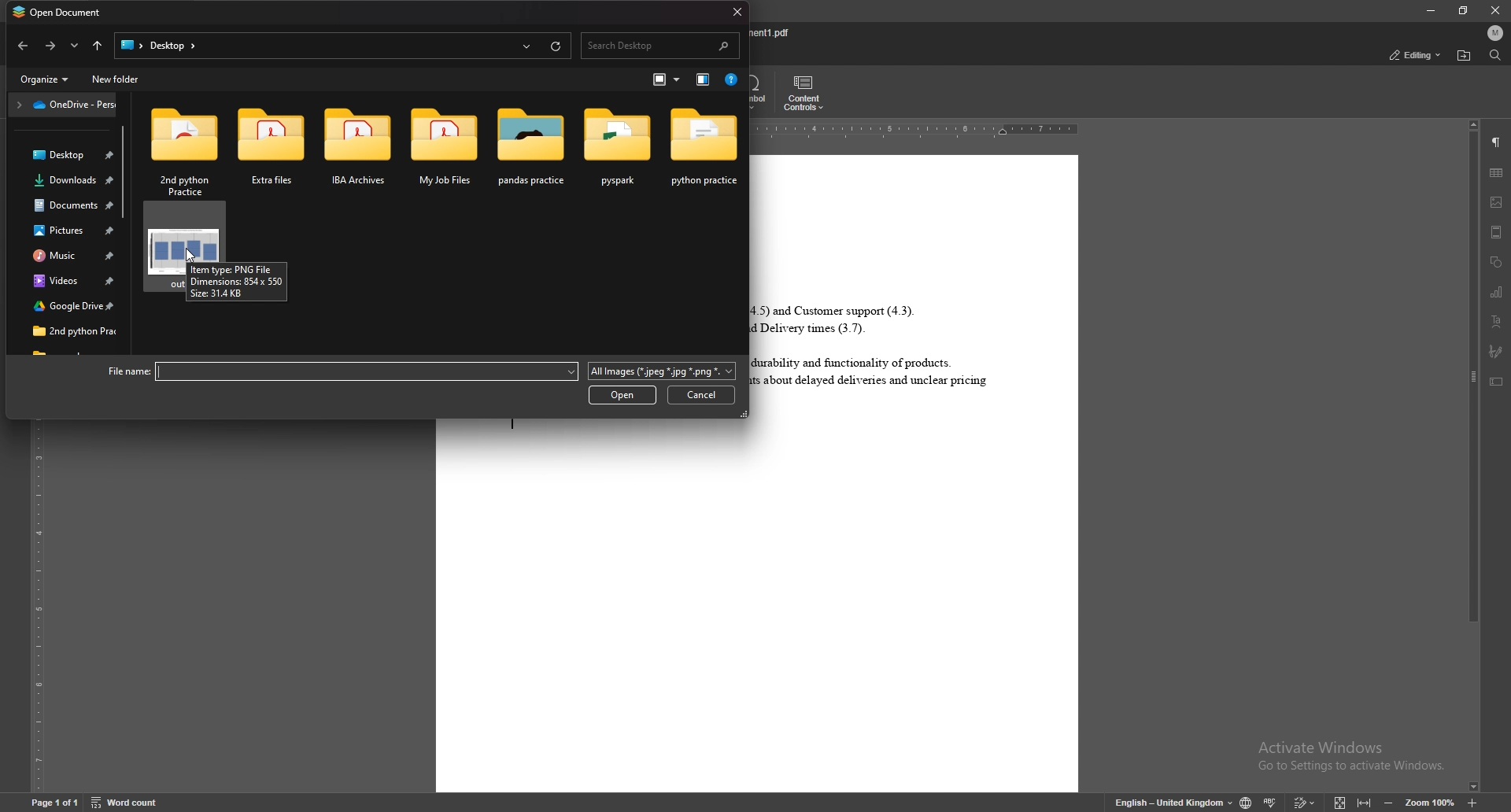 The width and height of the screenshot is (1511, 812). What do you see at coordinates (618, 147) in the screenshot?
I see `folder` at bounding box center [618, 147].